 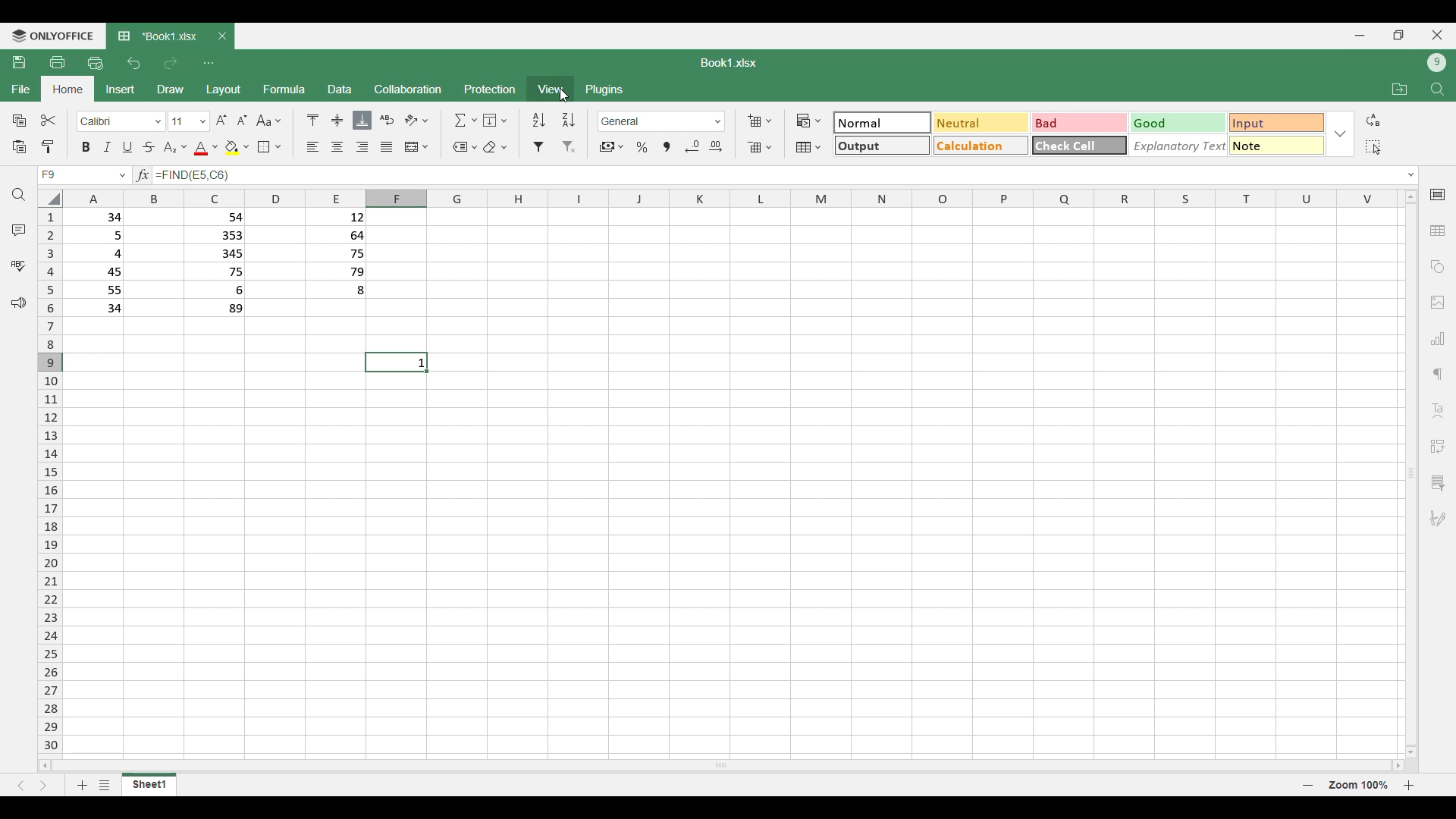 What do you see at coordinates (313, 147) in the screenshot?
I see `Left alignment` at bounding box center [313, 147].